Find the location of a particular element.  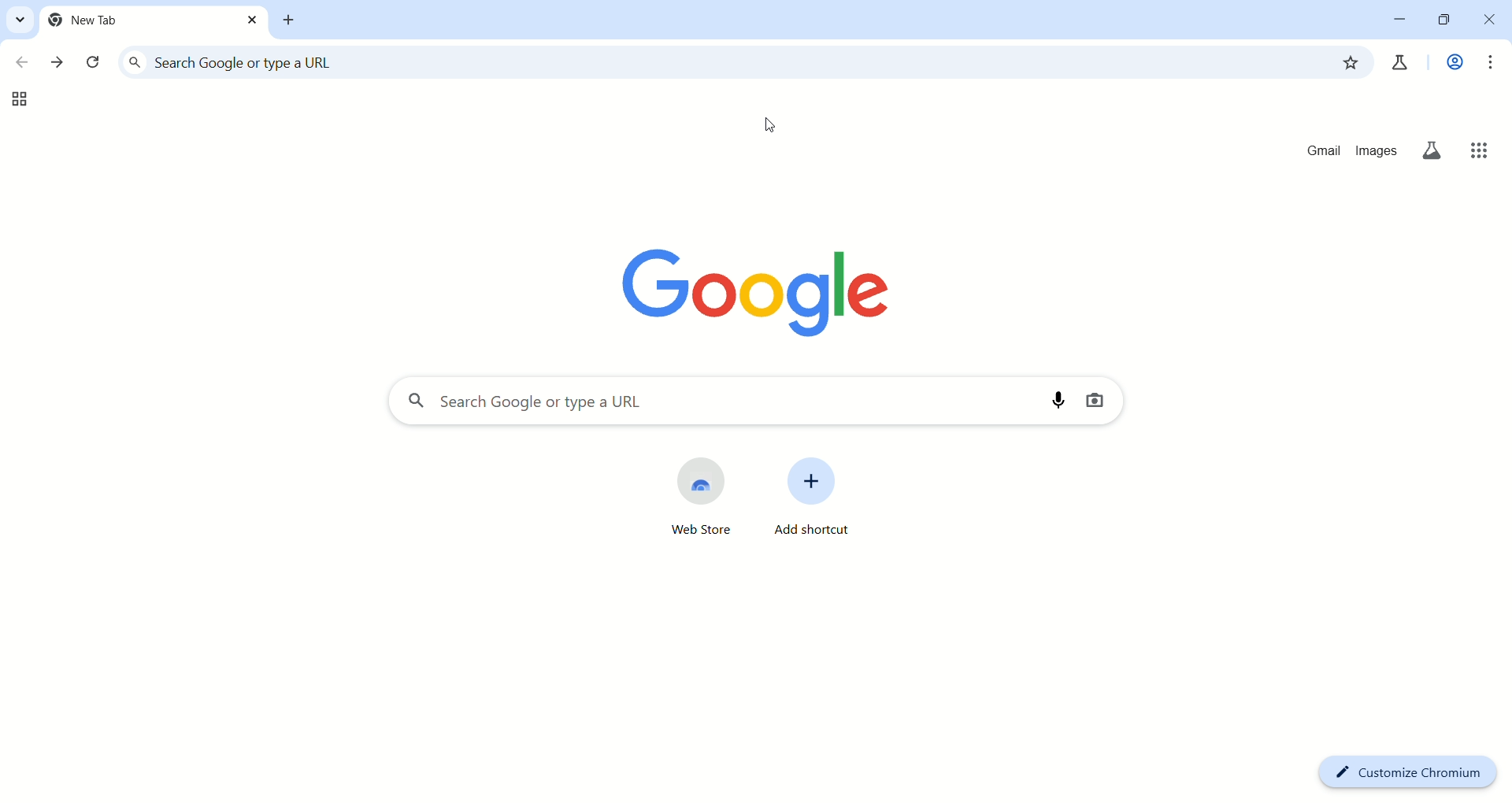

search is located at coordinates (714, 64).